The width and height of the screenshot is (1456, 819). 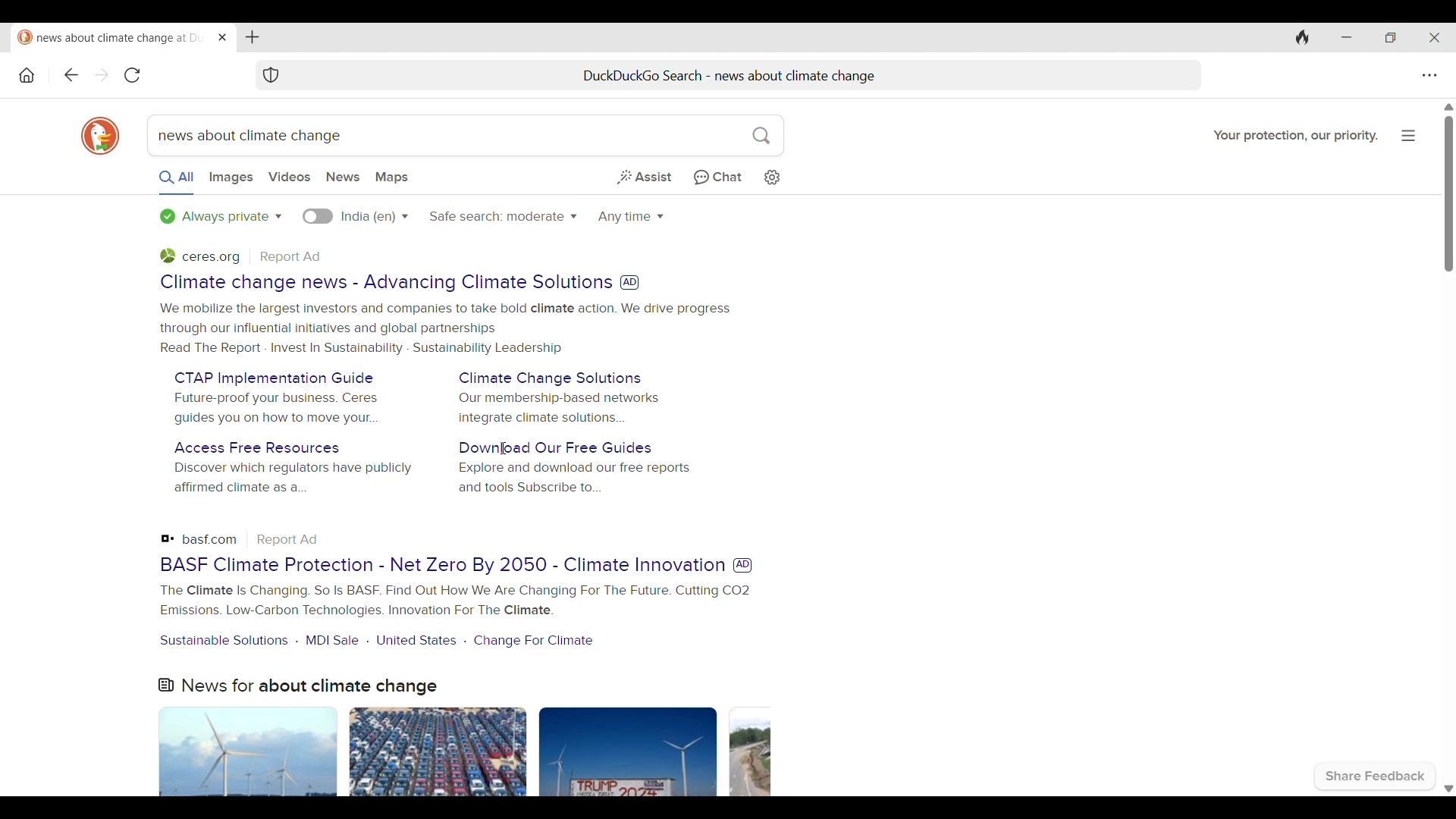 What do you see at coordinates (375, 217) in the screenshot?
I see `Language options` at bounding box center [375, 217].